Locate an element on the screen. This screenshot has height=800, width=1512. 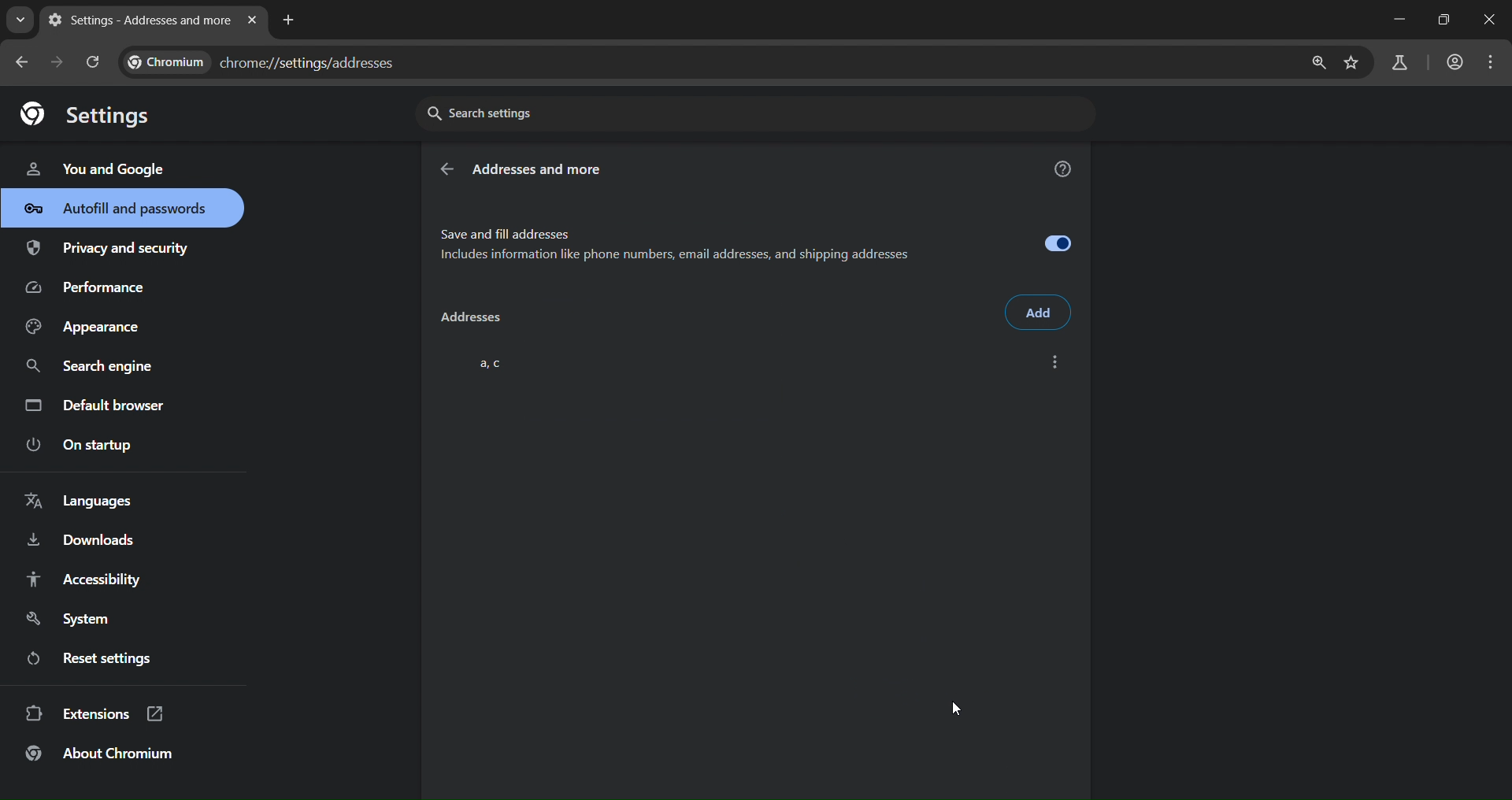
reload is located at coordinates (91, 61).